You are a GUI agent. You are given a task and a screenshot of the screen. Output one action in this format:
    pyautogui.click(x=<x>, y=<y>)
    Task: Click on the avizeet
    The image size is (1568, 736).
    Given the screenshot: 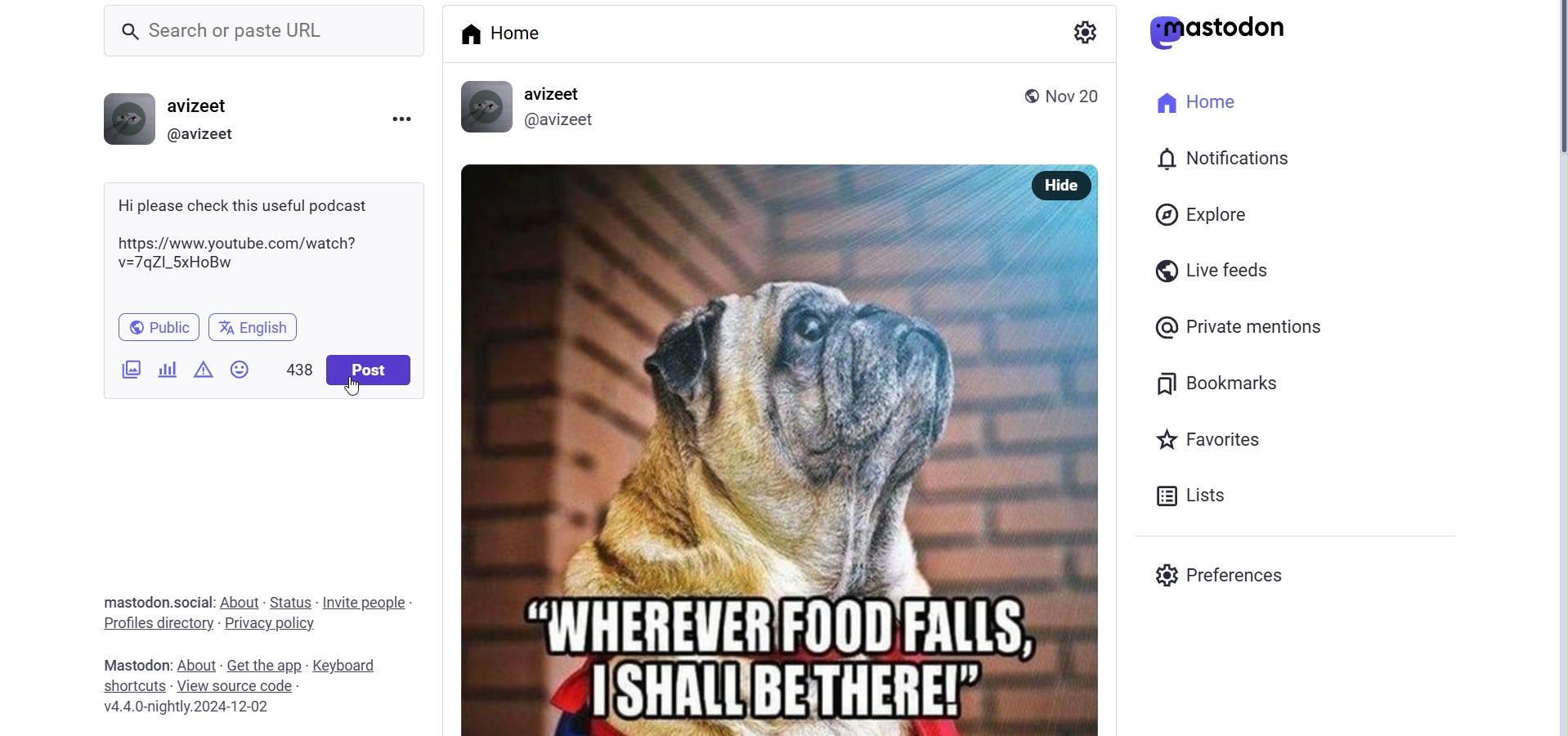 What is the action you would take?
    pyautogui.click(x=558, y=94)
    